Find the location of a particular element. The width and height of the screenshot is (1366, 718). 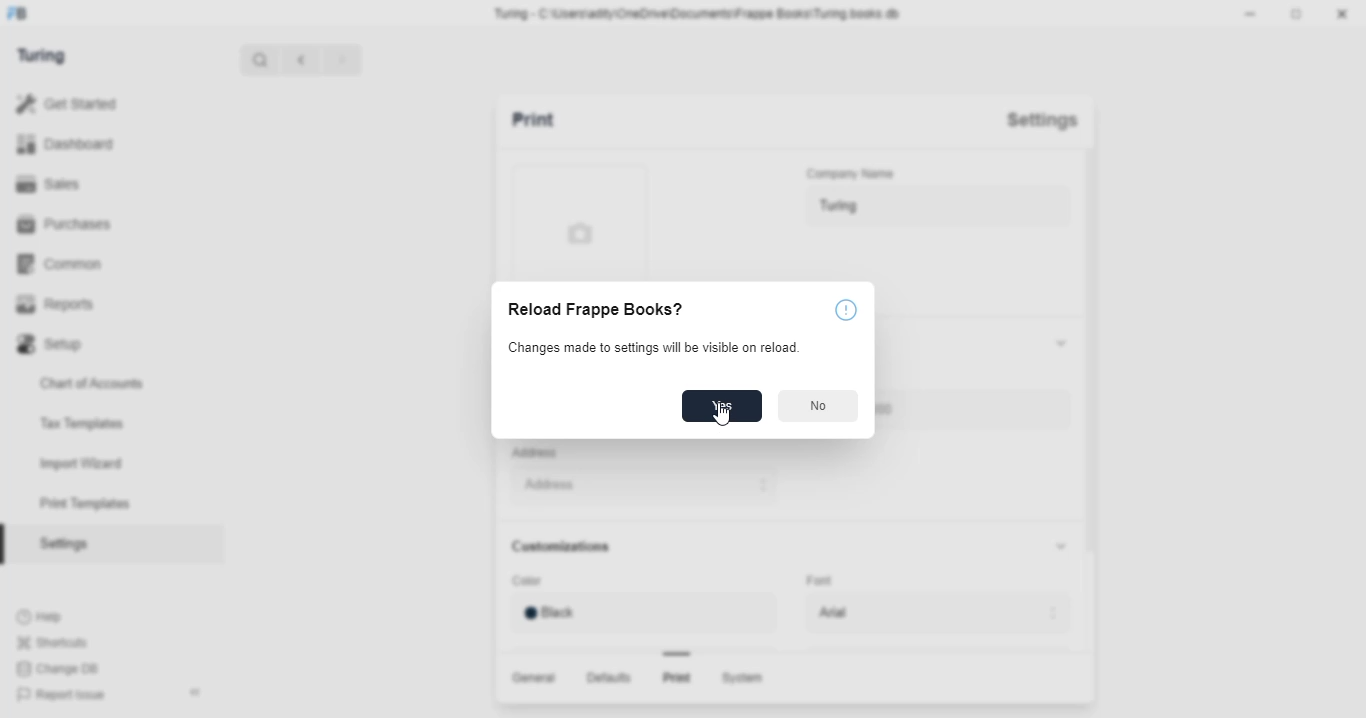

Turing is located at coordinates (45, 54).